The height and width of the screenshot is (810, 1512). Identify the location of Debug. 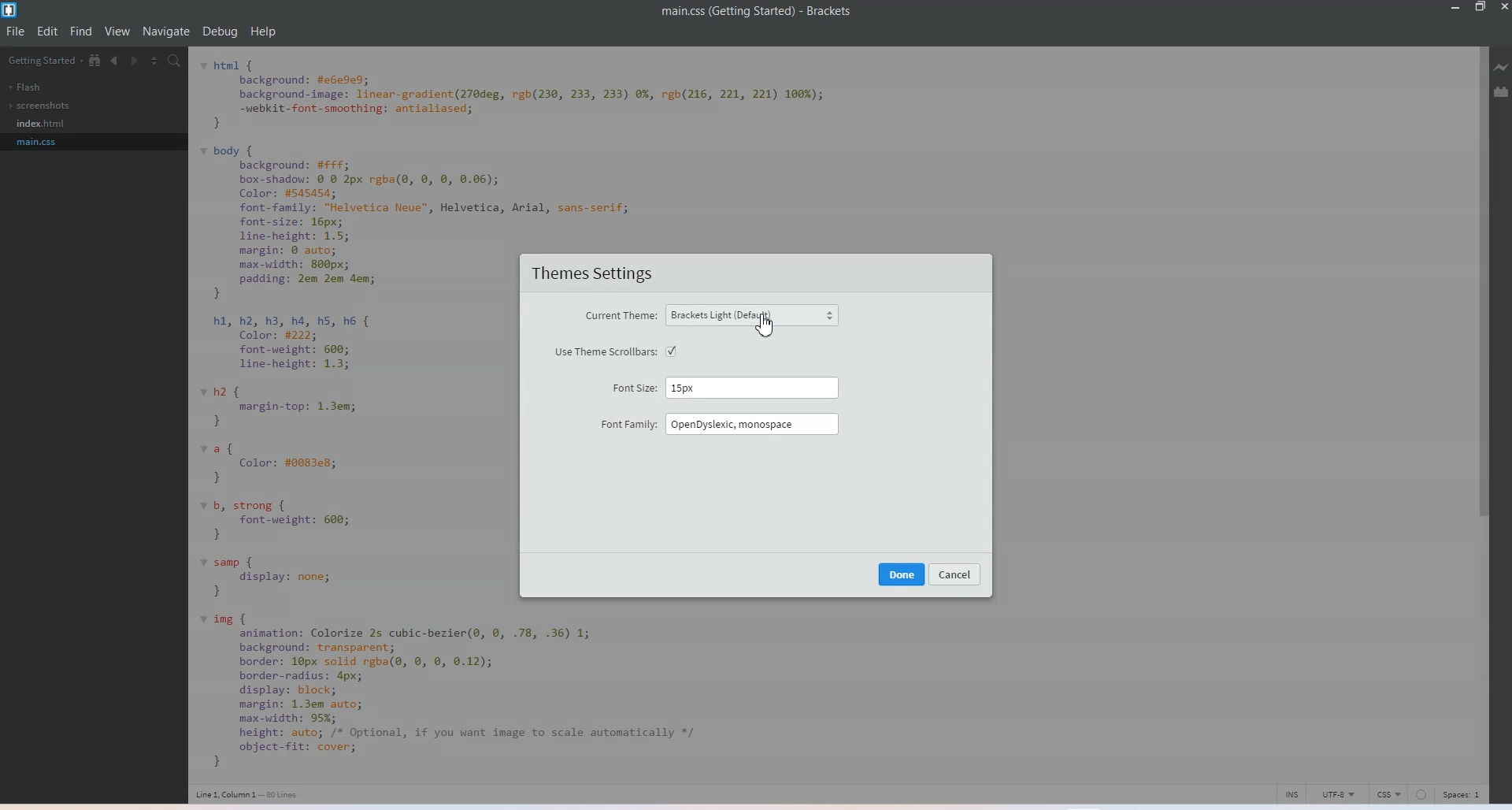
(220, 32).